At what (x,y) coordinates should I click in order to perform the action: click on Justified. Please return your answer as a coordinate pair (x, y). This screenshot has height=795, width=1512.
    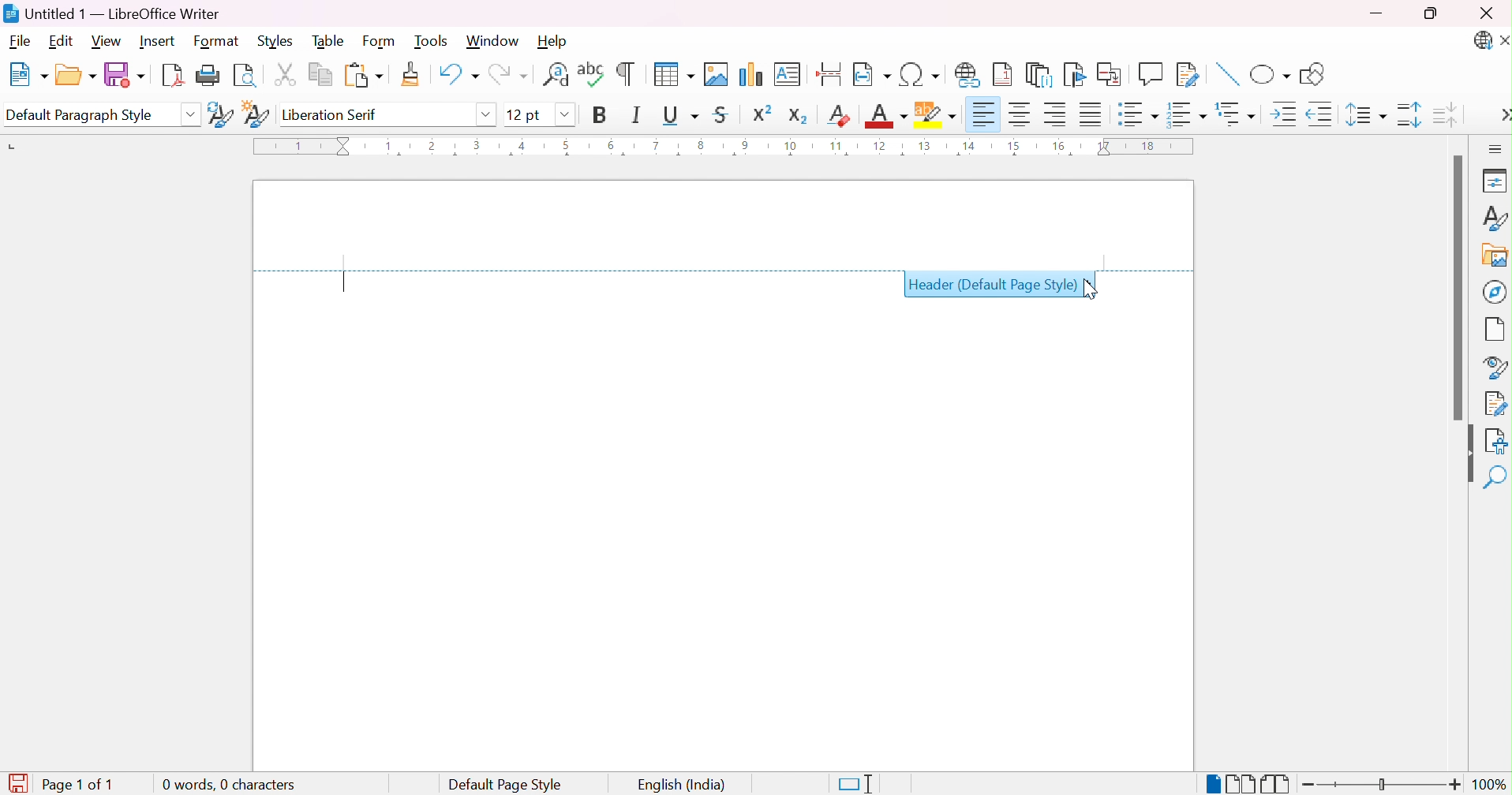
    Looking at the image, I should click on (1091, 113).